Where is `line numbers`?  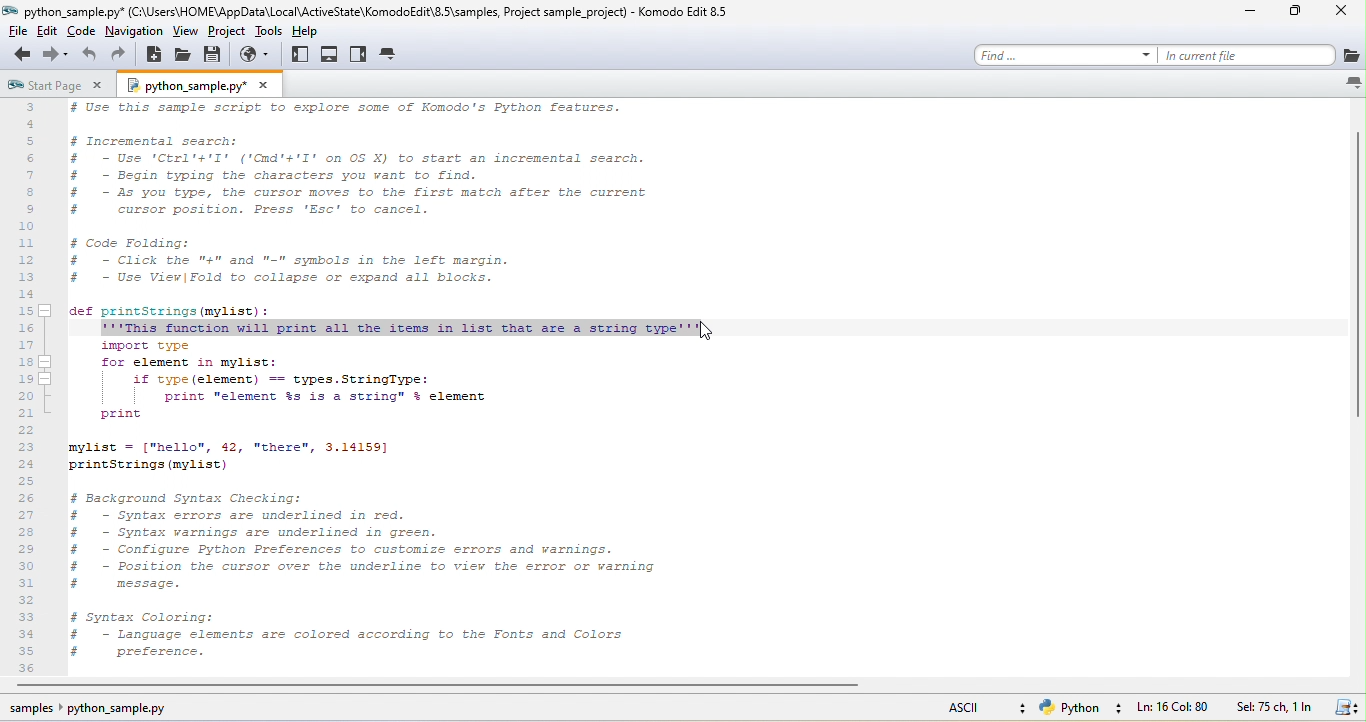 line numbers is located at coordinates (31, 388).